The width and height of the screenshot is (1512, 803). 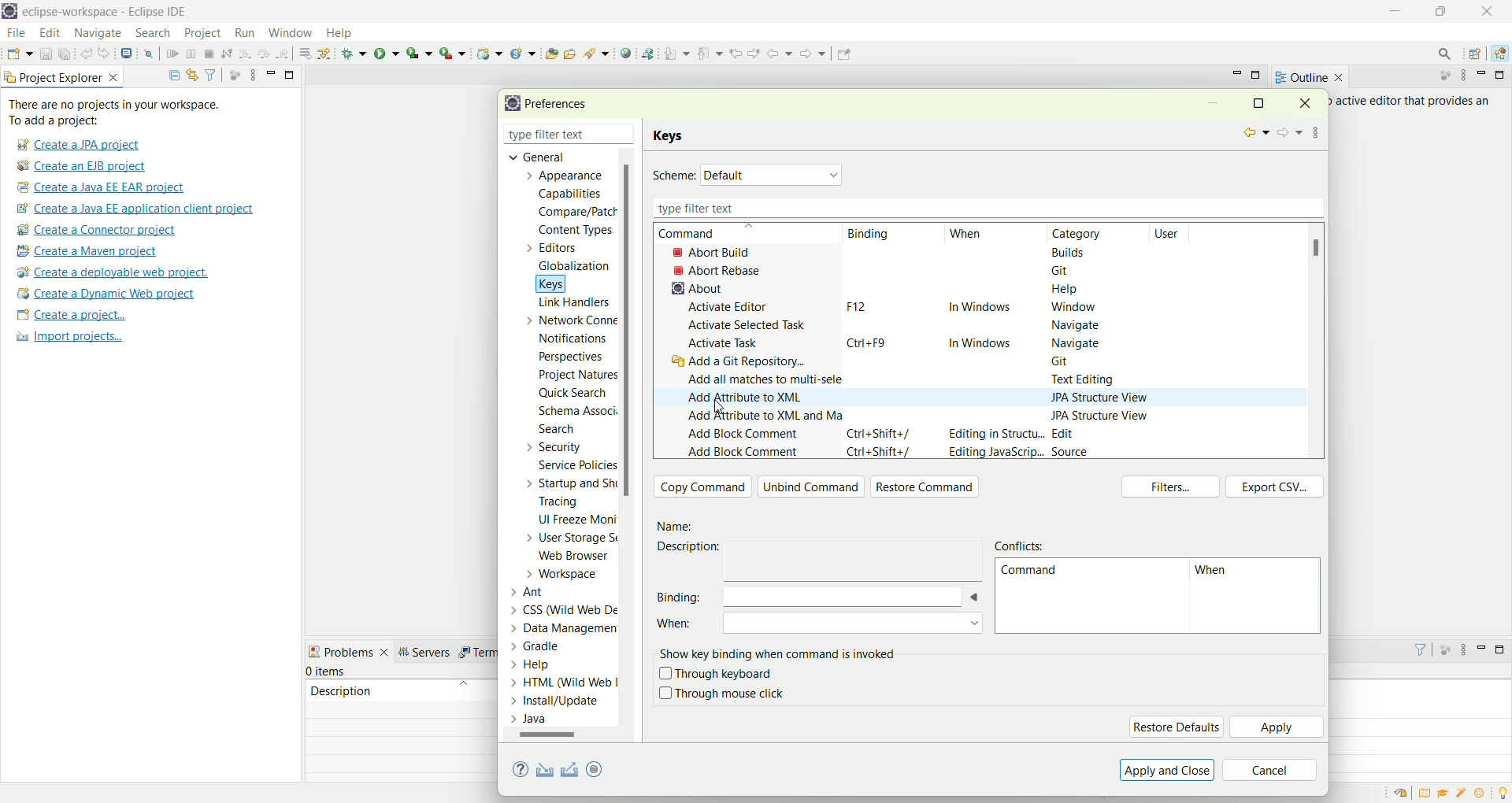 What do you see at coordinates (1484, 75) in the screenshot?
I see `minimize` at bounding box center [1484, 75].